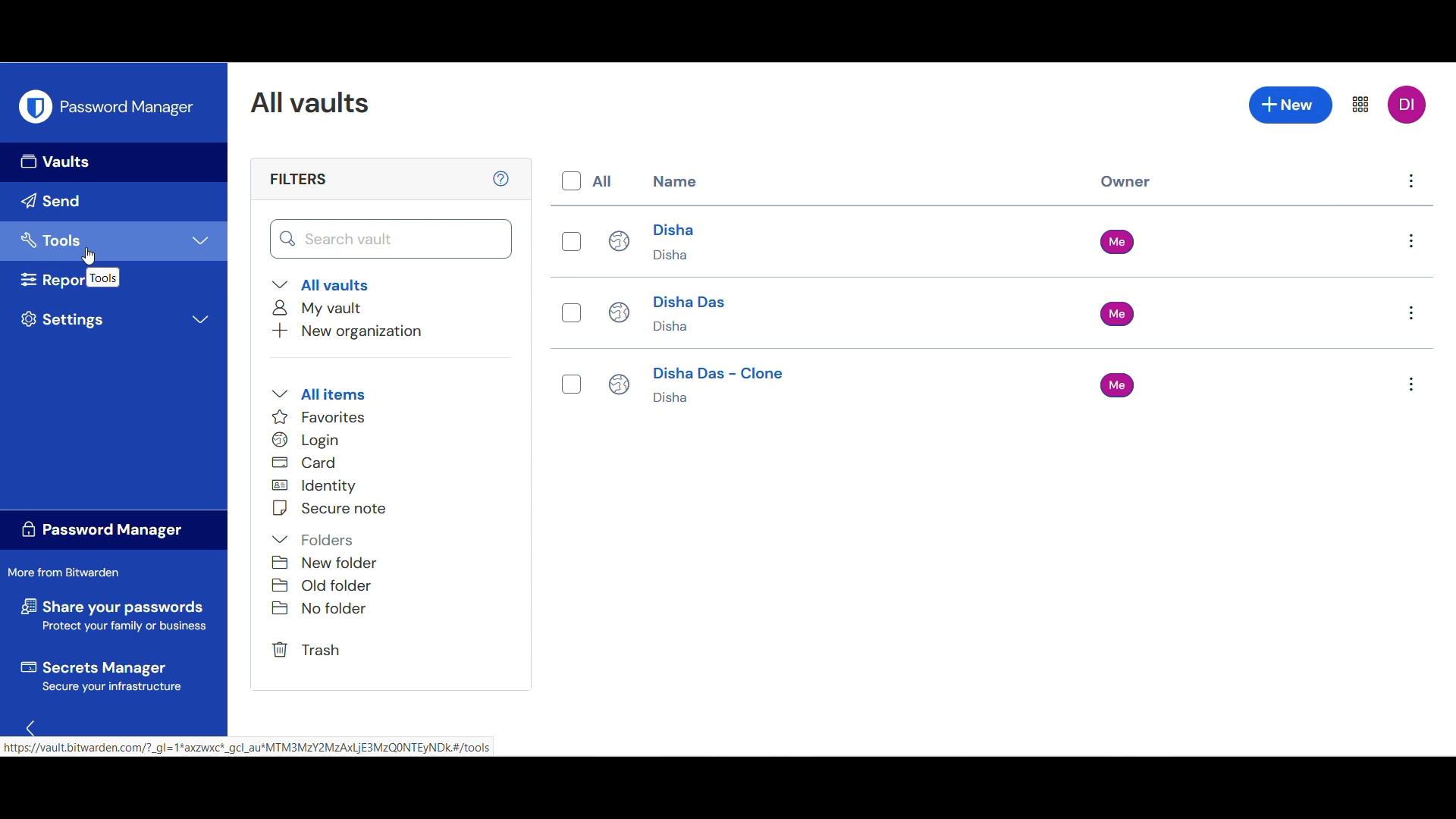  What do you see at coordinates (340, 508) in the screenshot?
I see `Secure note` at bounding box center [340, 508].